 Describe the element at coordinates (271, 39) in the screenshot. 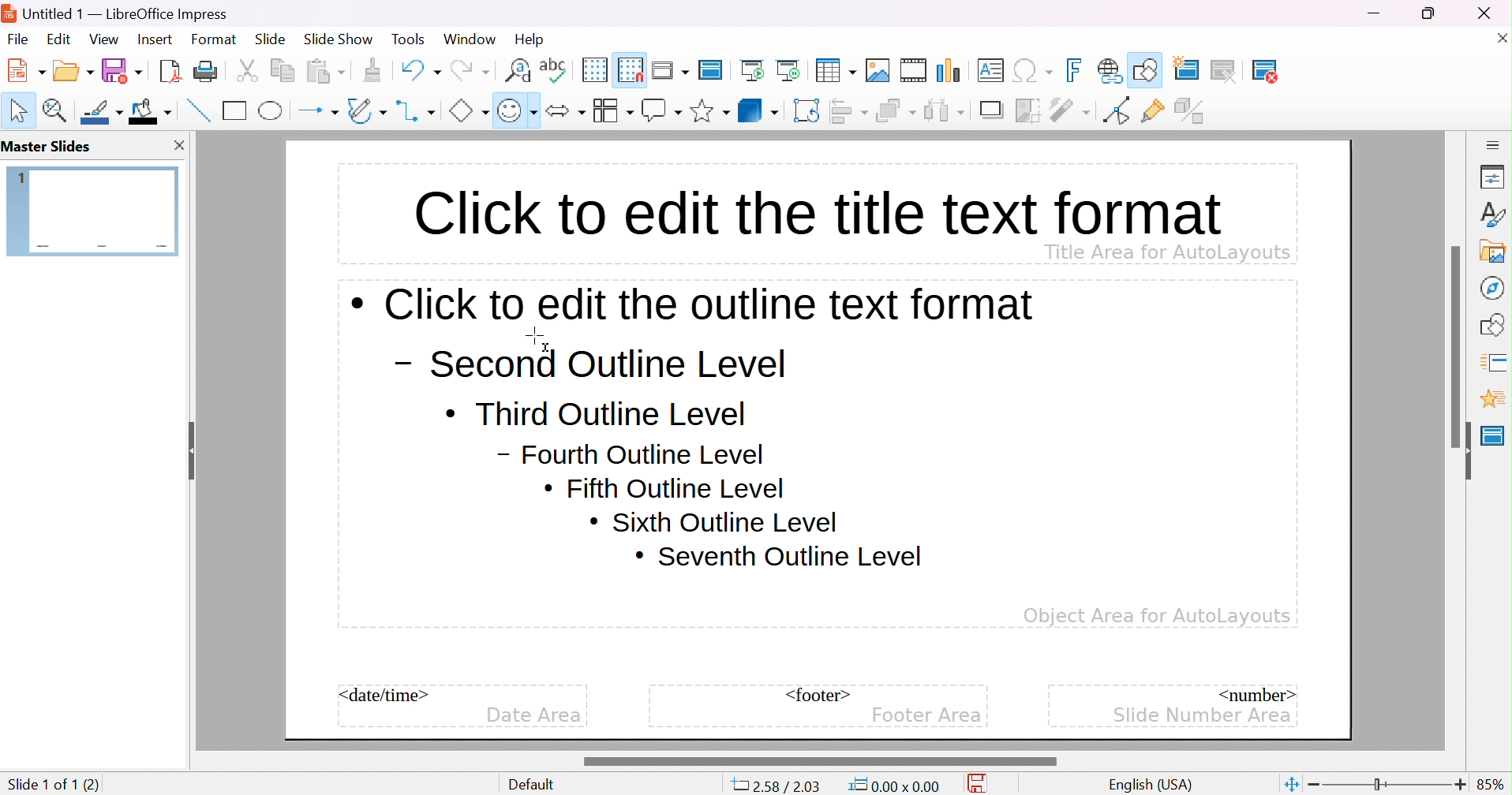

I see `slide` at that location.